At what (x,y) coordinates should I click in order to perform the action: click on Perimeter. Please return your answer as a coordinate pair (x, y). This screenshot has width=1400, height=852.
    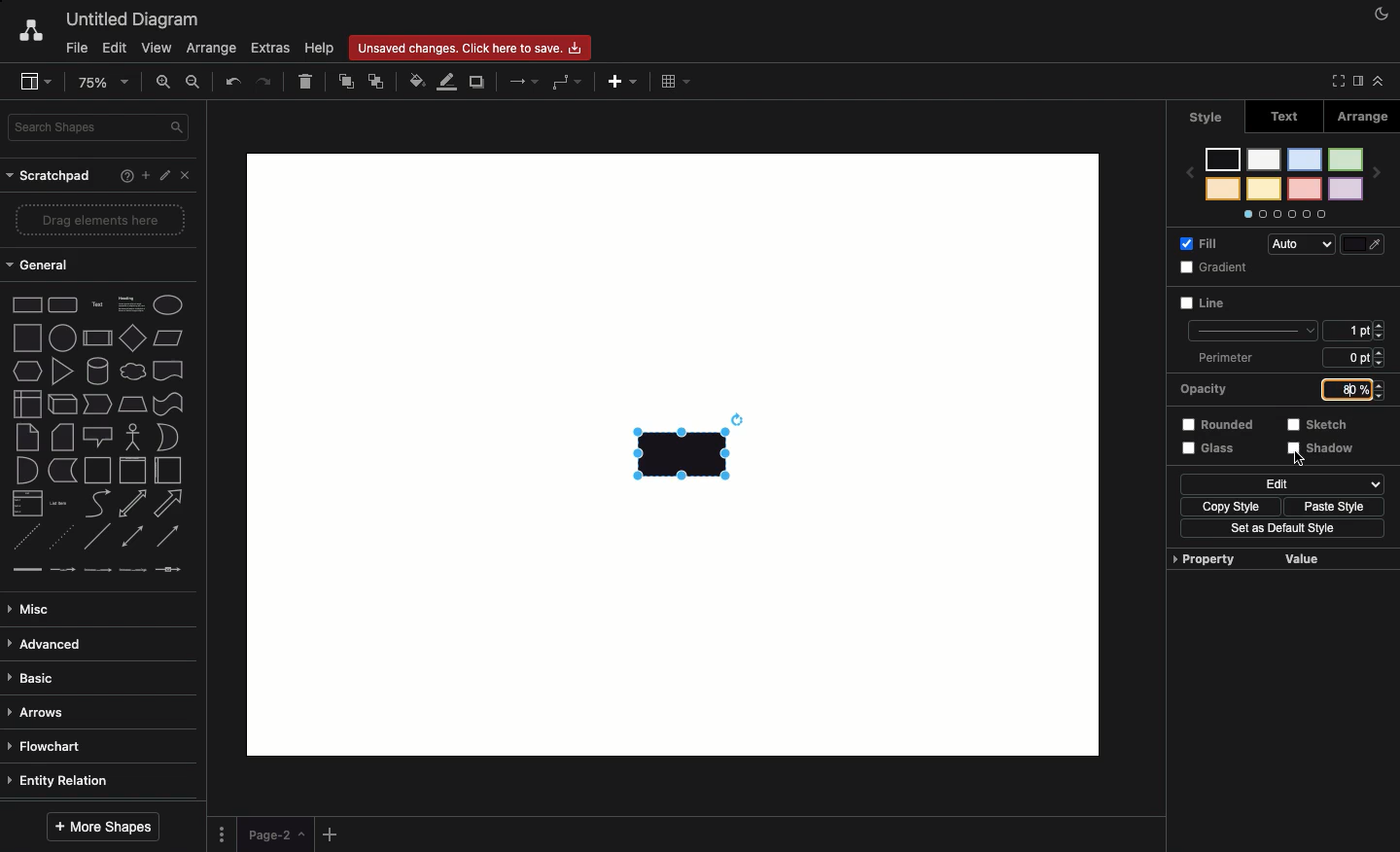
    Looking at the image, I should click on (1232, 357).